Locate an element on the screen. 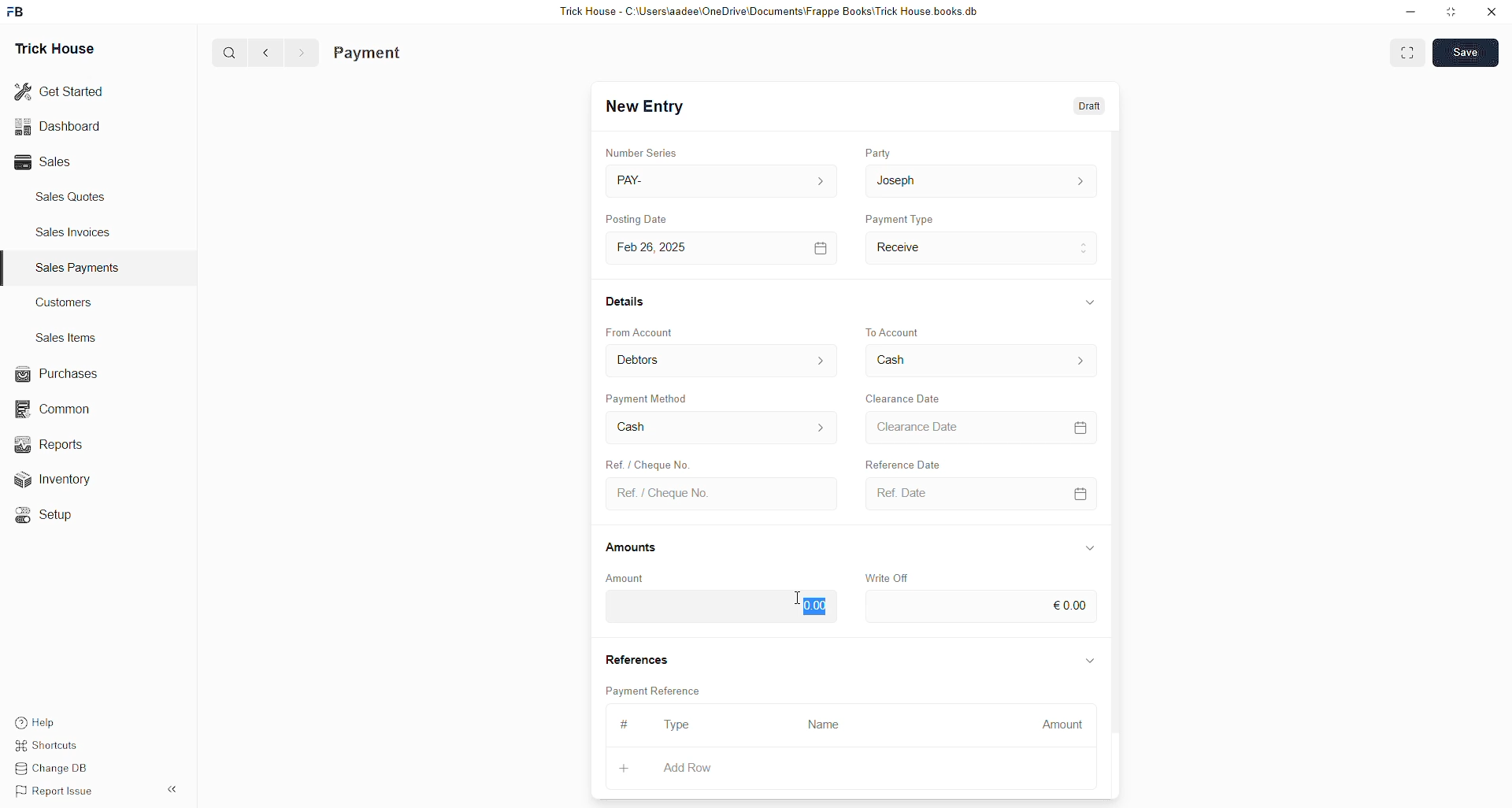 This screenshot has height=808, width=1512. Clearance Date is located at coordinates (981, 427).